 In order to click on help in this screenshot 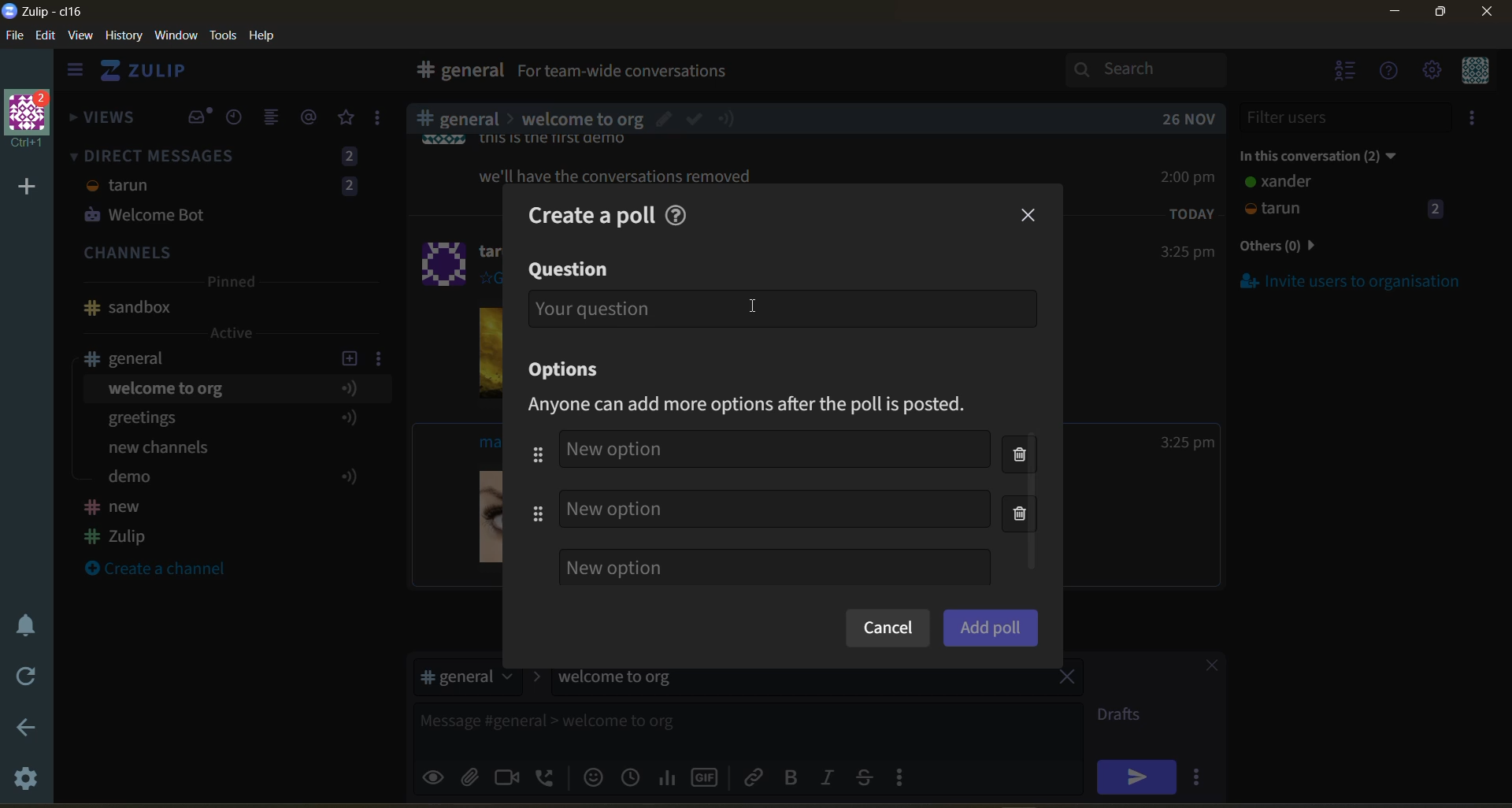, I will do `click(680, 213)`.